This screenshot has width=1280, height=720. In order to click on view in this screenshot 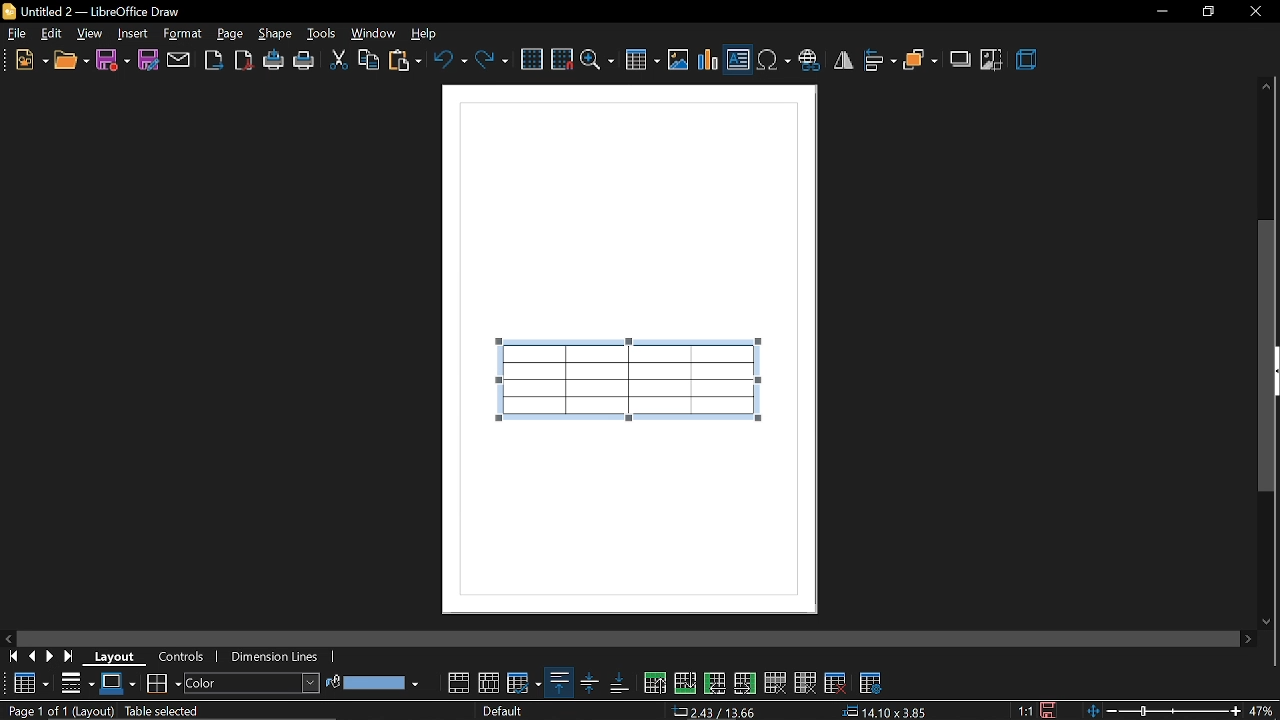, I will do `click(89, 33)`.